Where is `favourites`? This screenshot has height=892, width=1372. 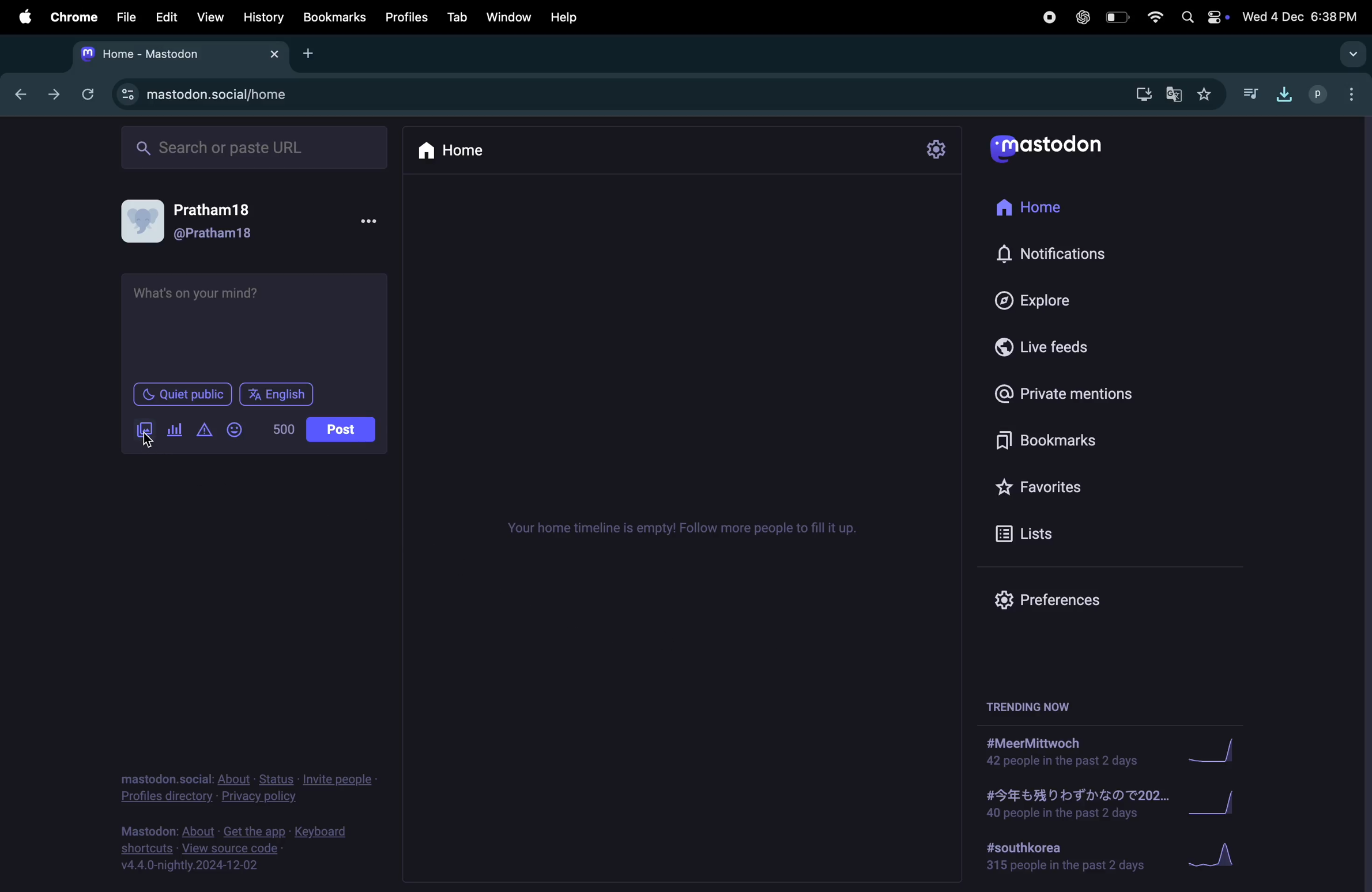
favourites is located at coordinates (1207, 95).